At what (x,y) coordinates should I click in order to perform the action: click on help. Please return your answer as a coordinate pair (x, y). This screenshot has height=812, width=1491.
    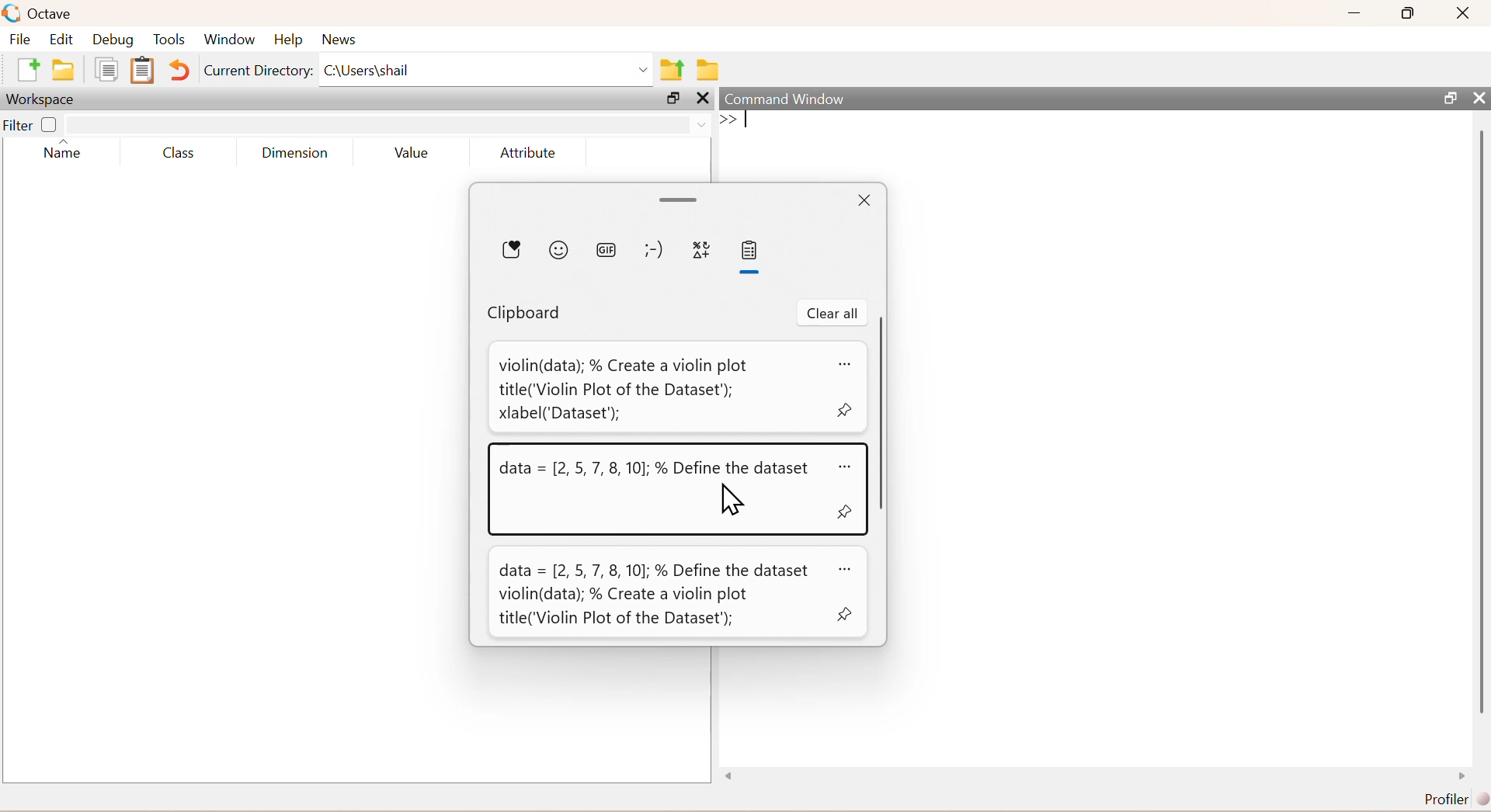
    Looking at the image, I should click on (289, 40).